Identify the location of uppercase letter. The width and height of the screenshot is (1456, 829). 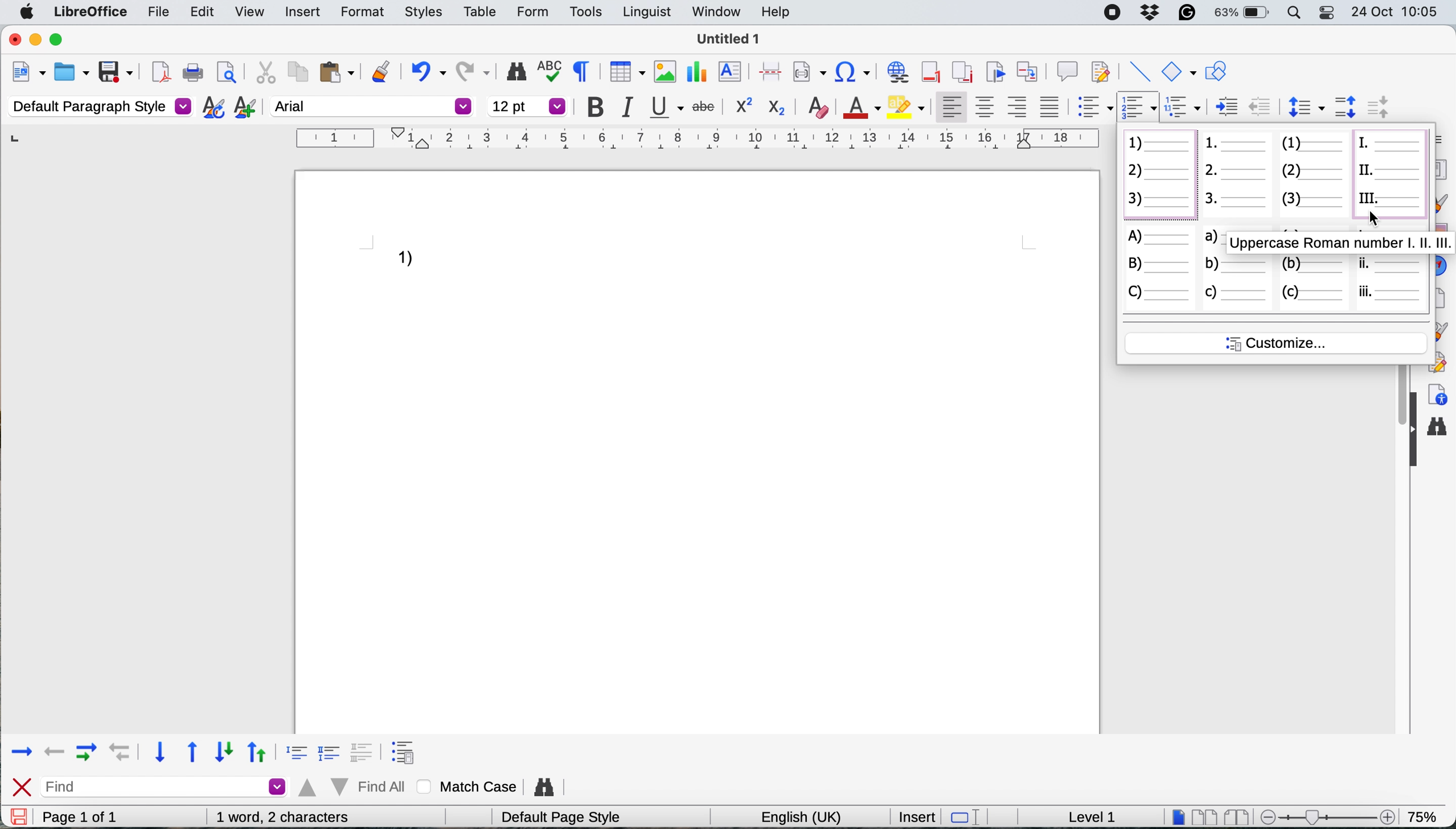
(1157, 270).